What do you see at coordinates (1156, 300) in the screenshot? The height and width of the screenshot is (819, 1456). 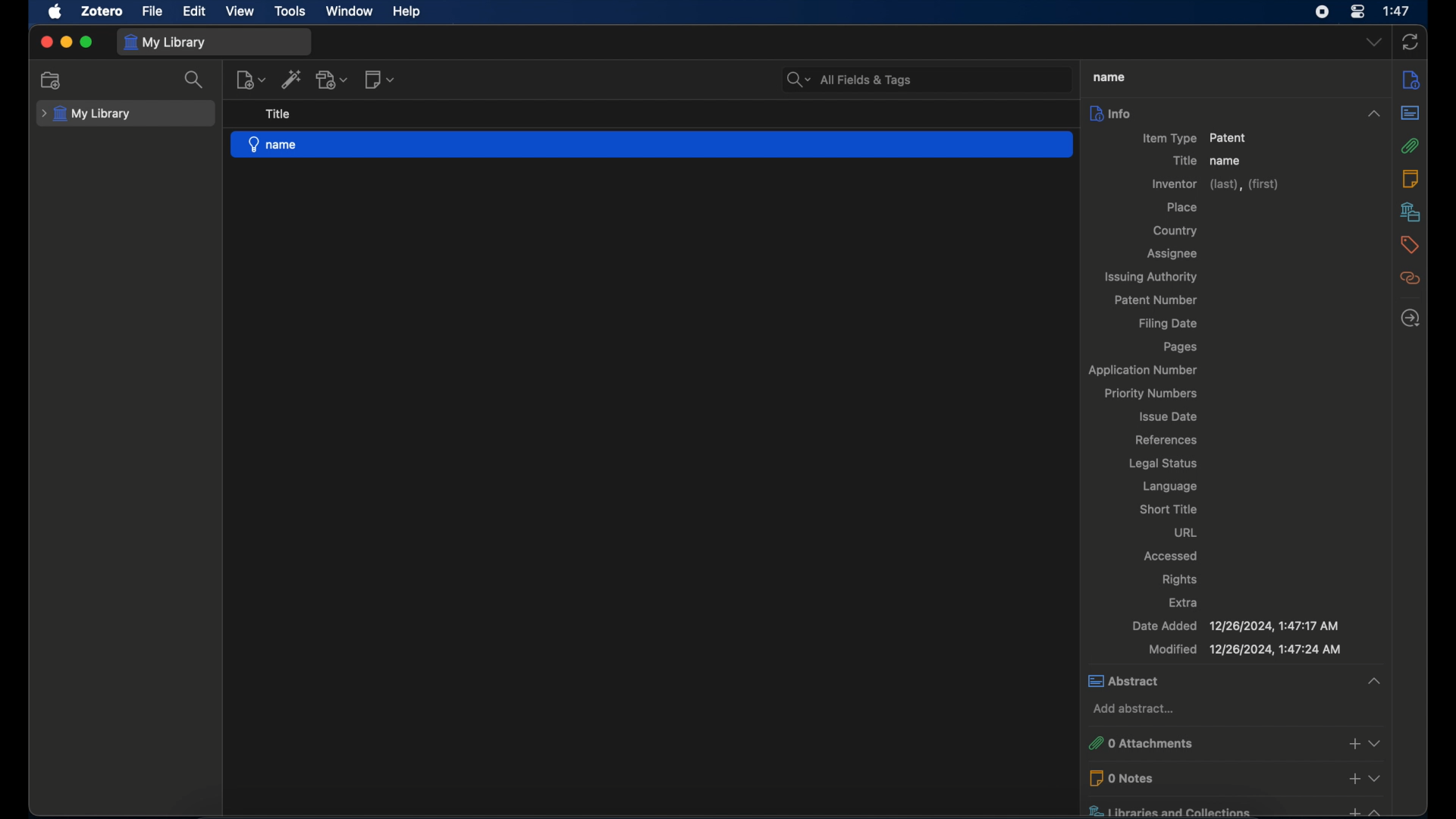 I see `patent  number` at bounding box center [1156, 300].